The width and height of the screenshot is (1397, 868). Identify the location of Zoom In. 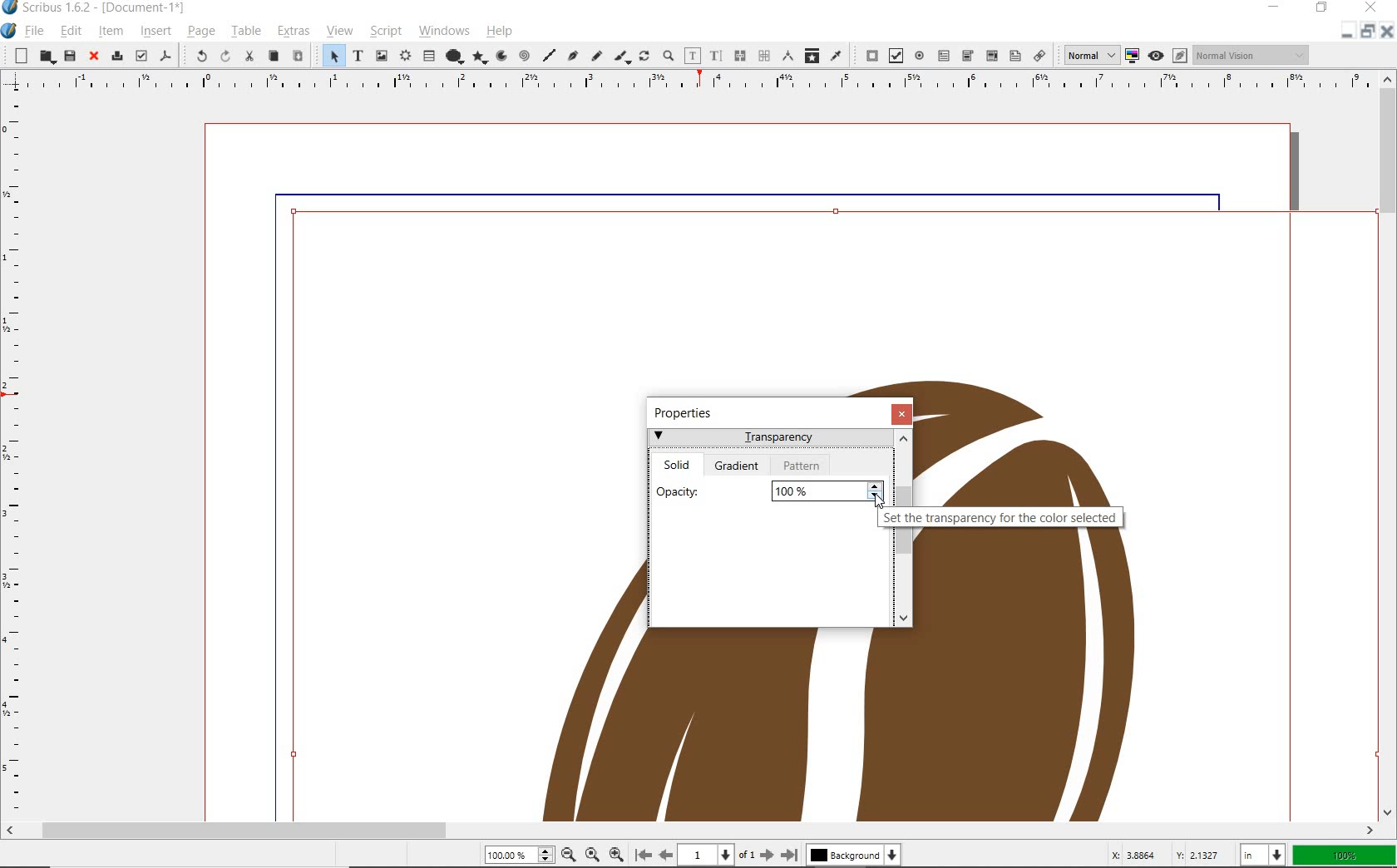
(616, 856).